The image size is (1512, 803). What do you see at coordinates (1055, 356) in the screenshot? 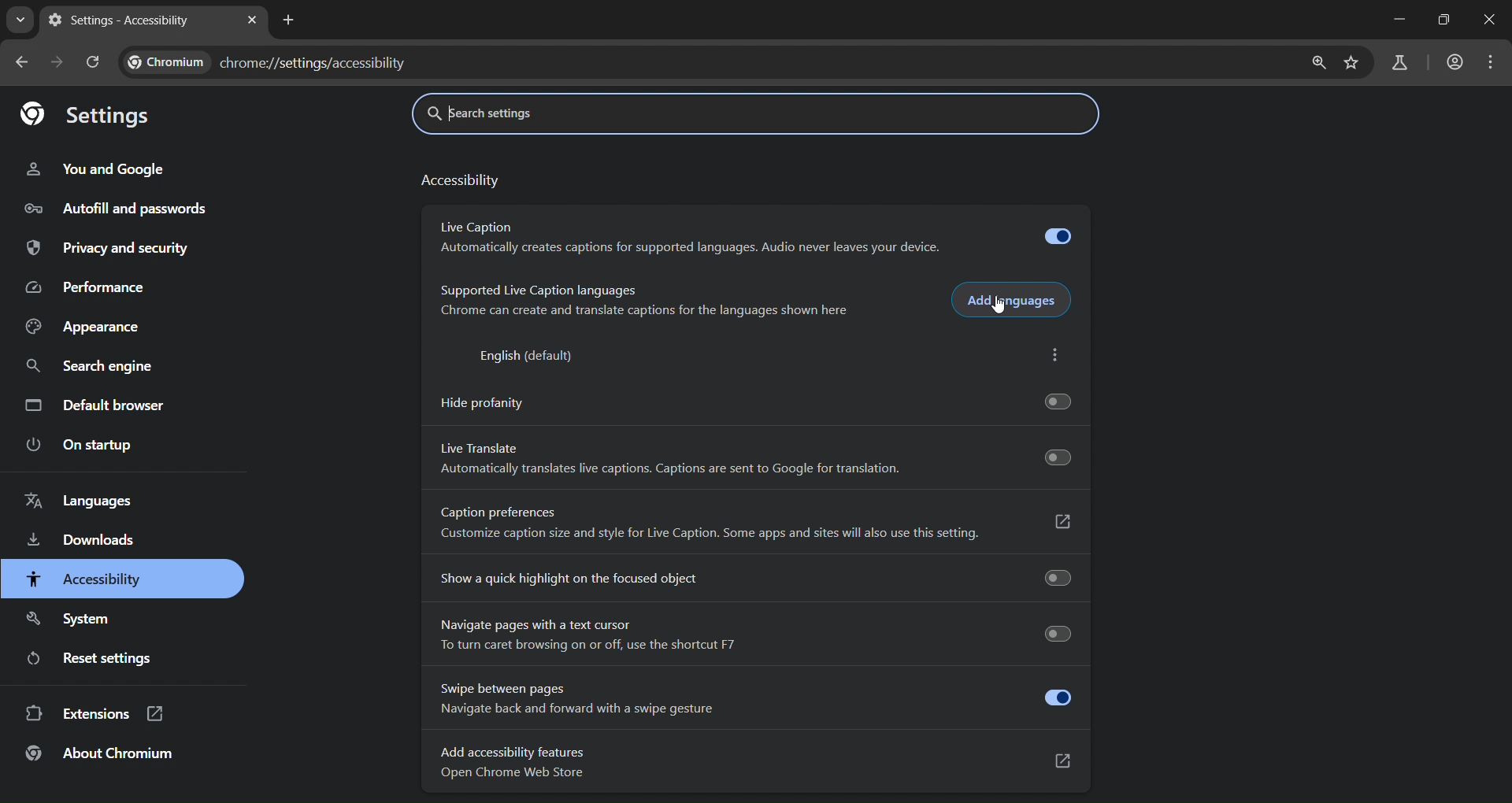
I see `more options` at bounding box center [1055, 356].